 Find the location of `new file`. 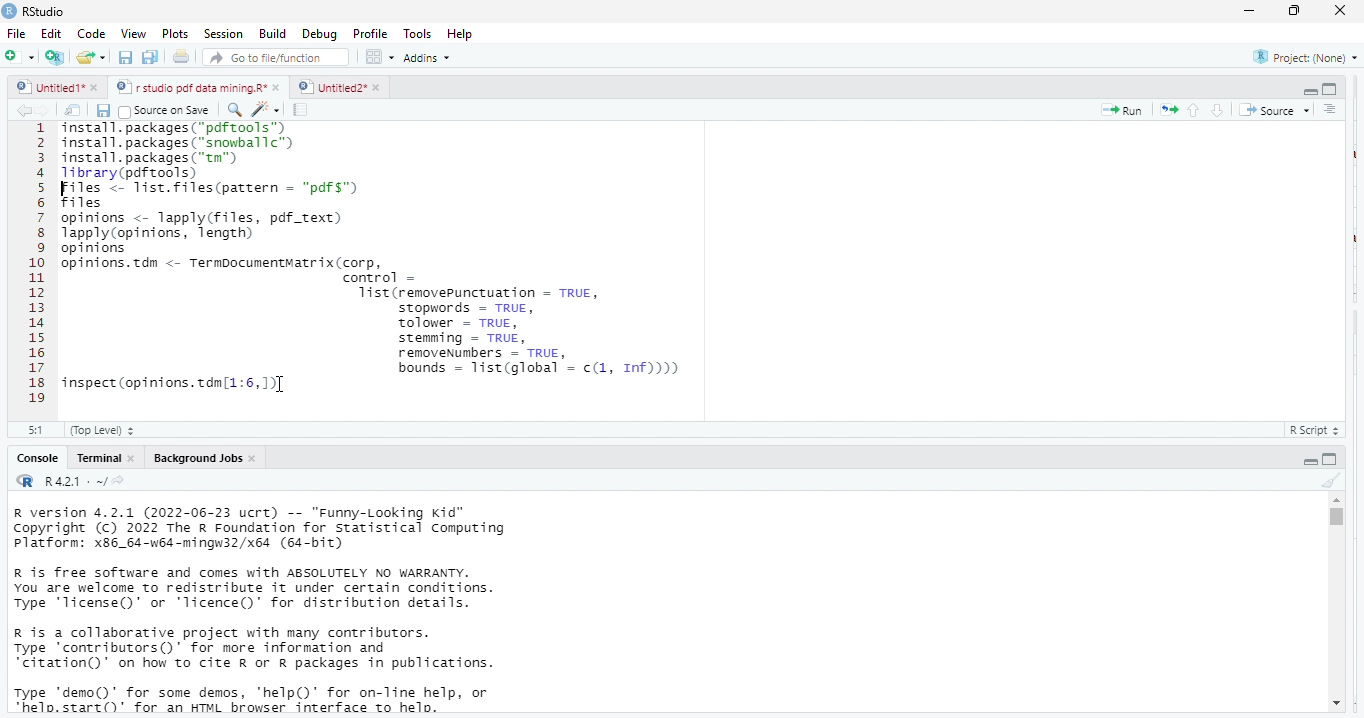

new file is located at coordinates (18, 56).